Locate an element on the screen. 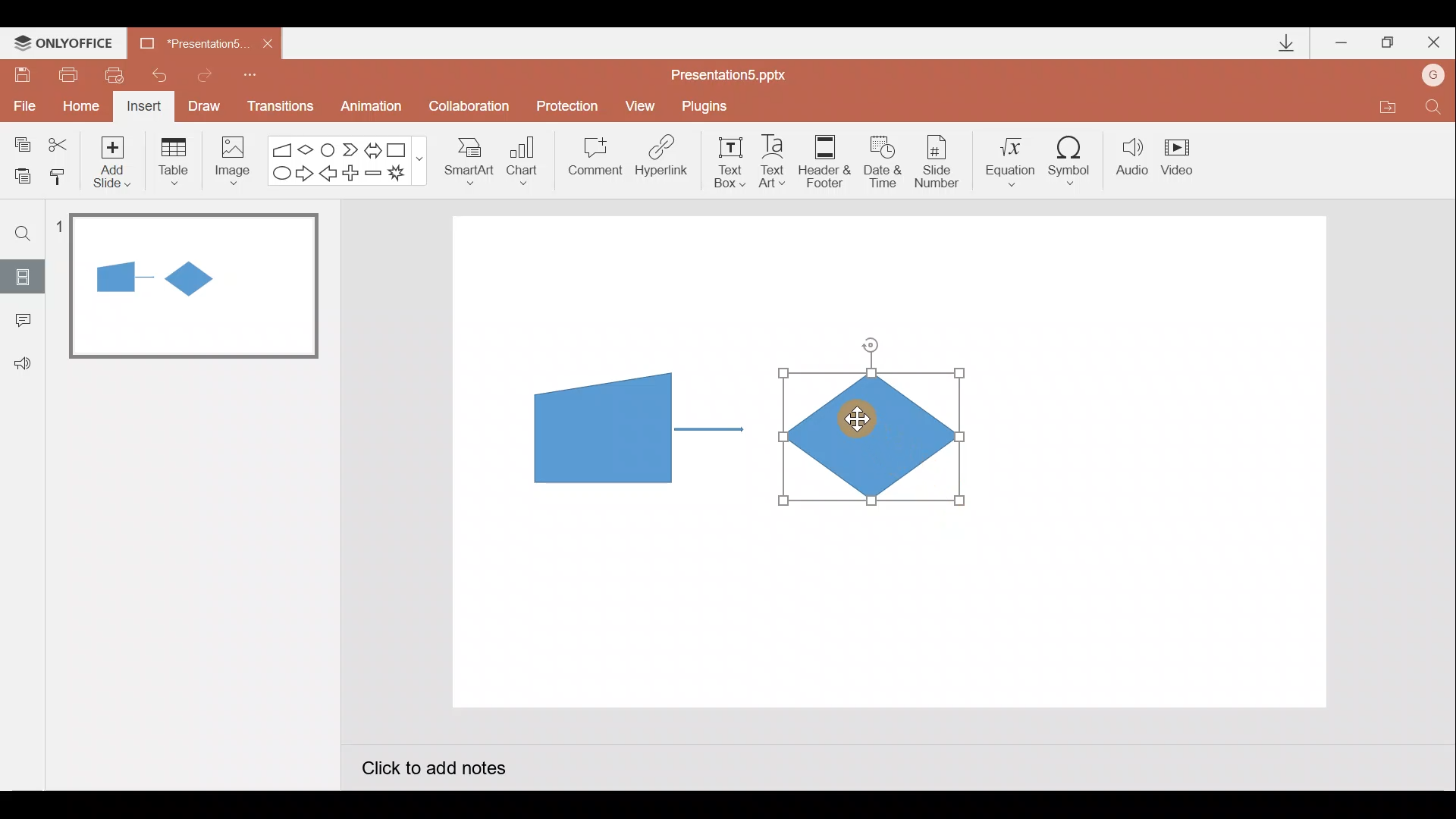  Minus is located at coordinates (375, 176).